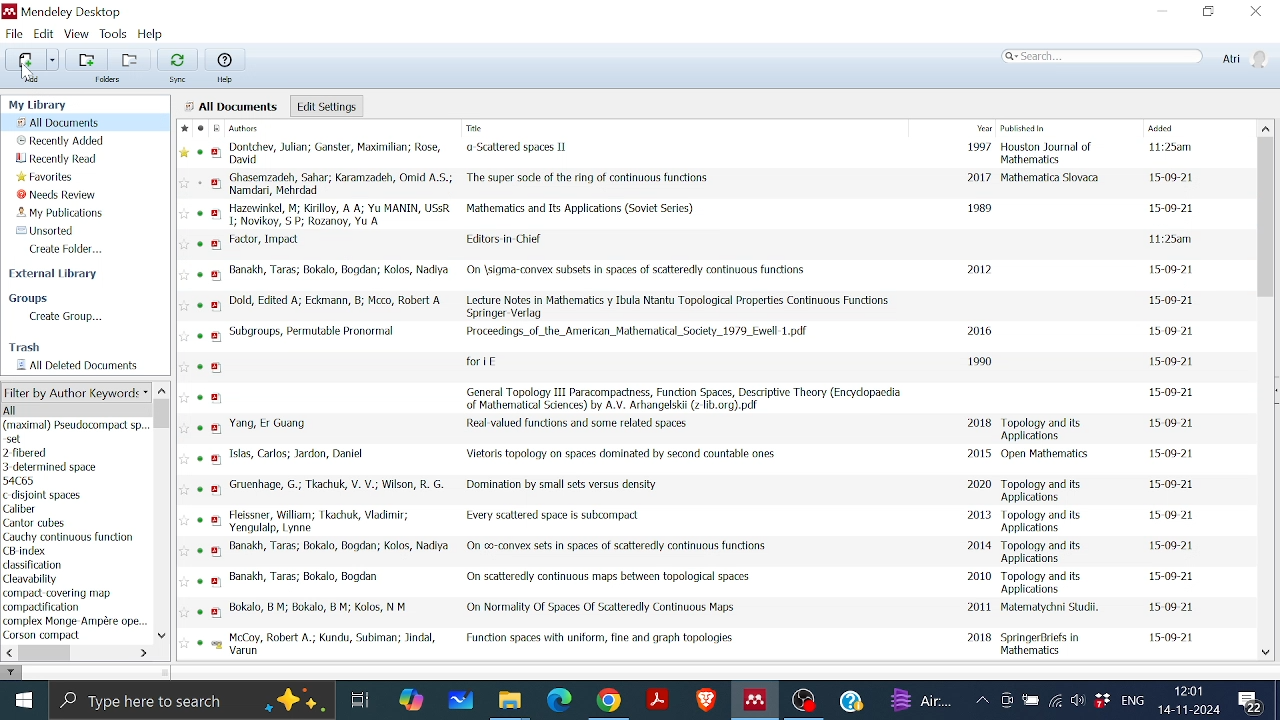 The image size is (1280, 720). Describe the element at coordinates (70, 623) in the screenshot. I see `Keyword` at that location.